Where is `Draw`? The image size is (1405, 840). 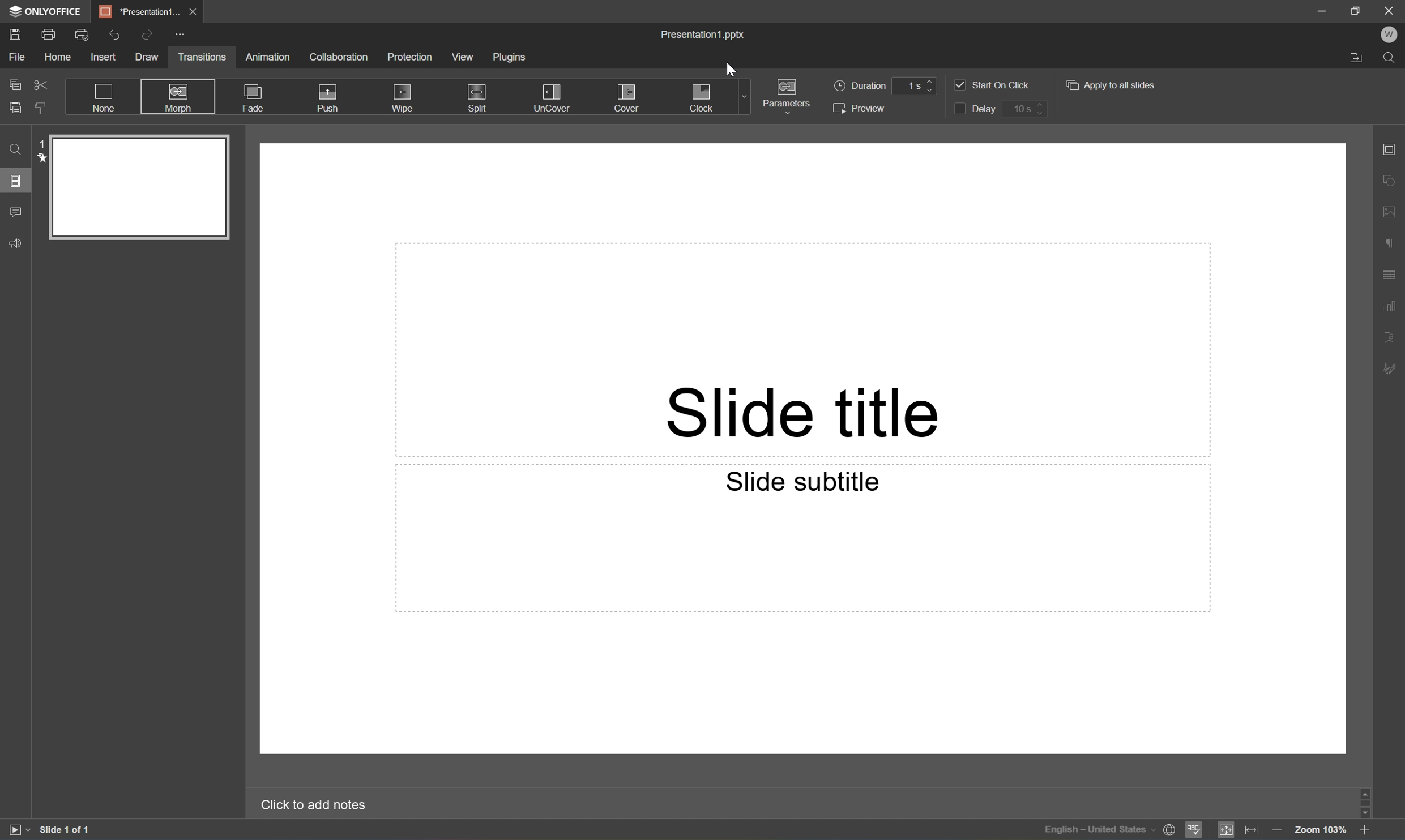 Draw is located at coordinates (148, 57).